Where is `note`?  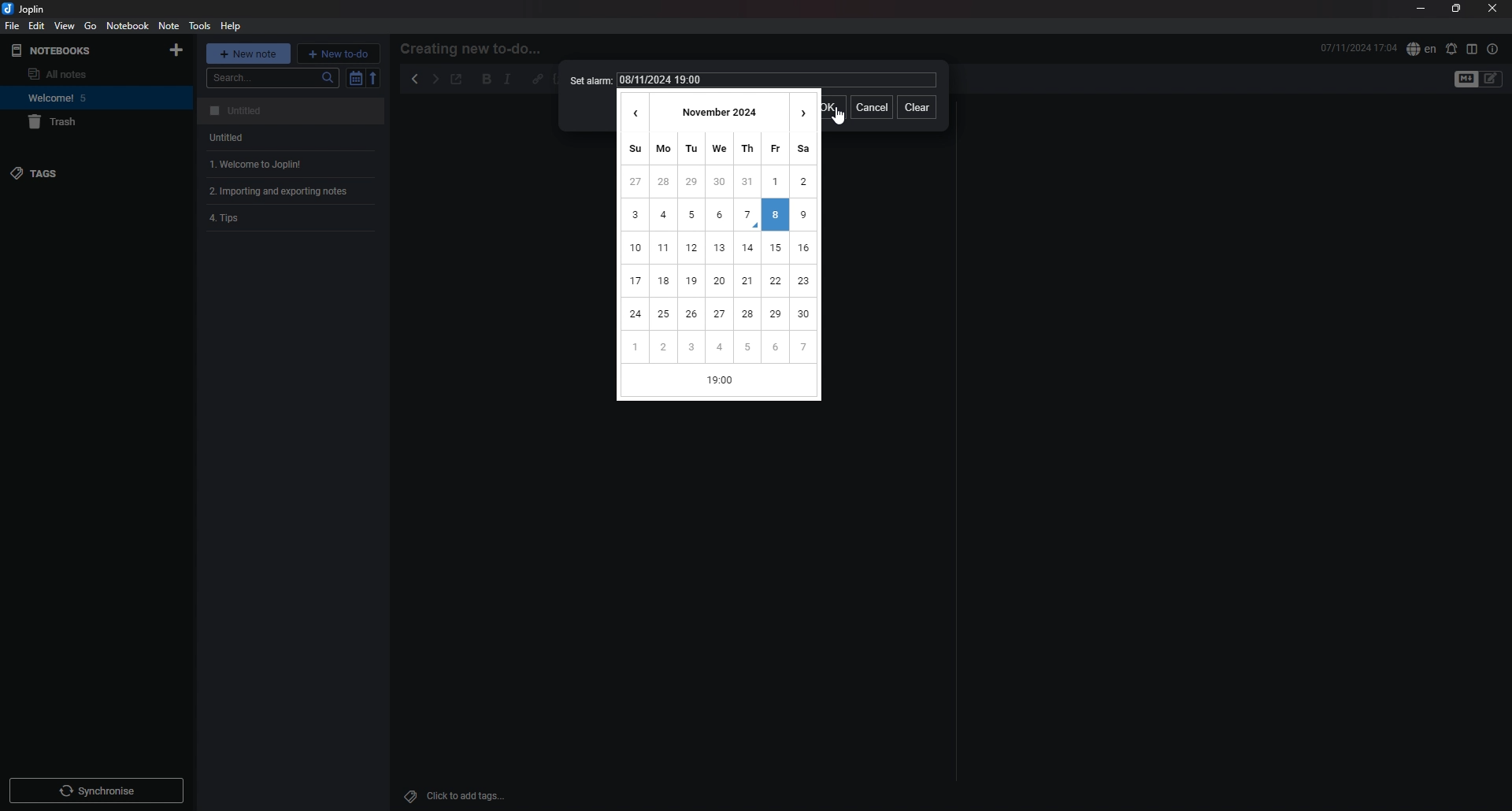 note is located at coordinates (294, 111).